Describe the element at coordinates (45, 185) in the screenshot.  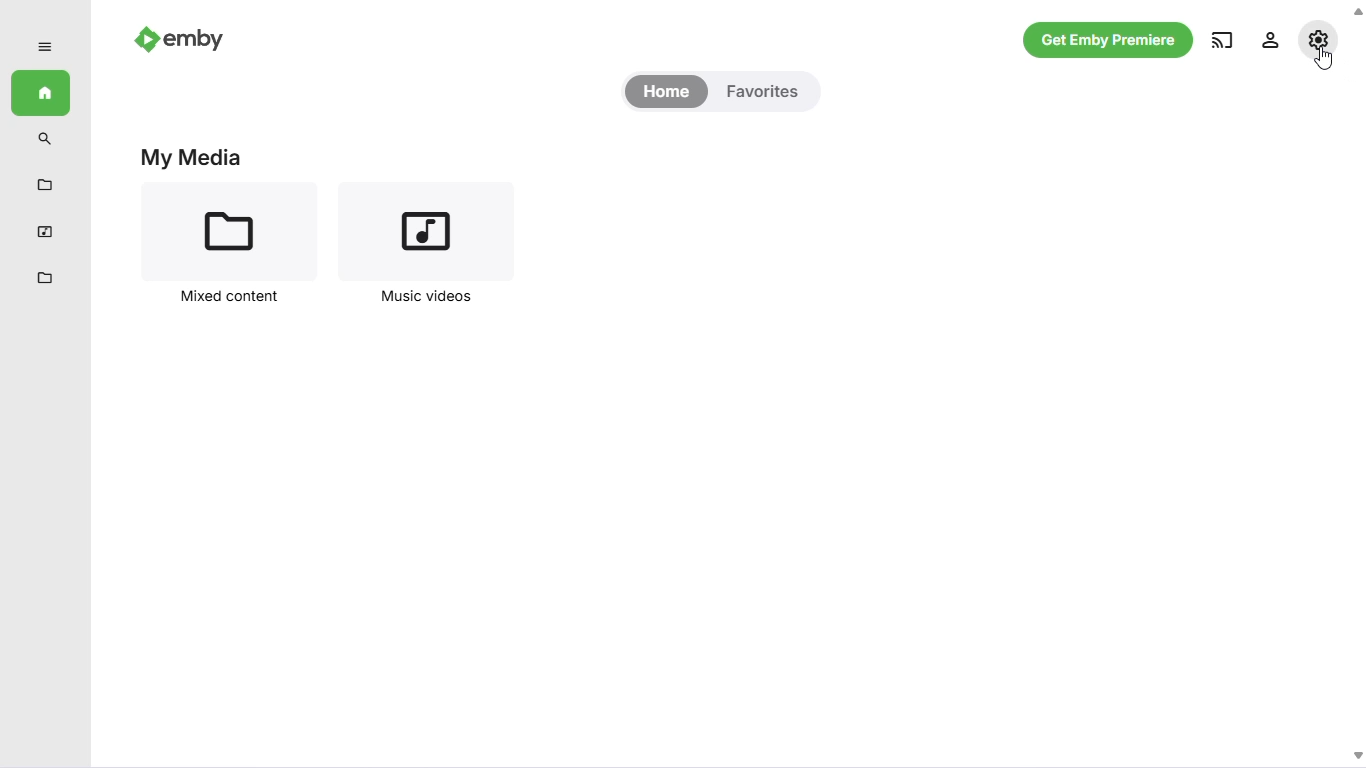
I see `metadata manager` at that location.